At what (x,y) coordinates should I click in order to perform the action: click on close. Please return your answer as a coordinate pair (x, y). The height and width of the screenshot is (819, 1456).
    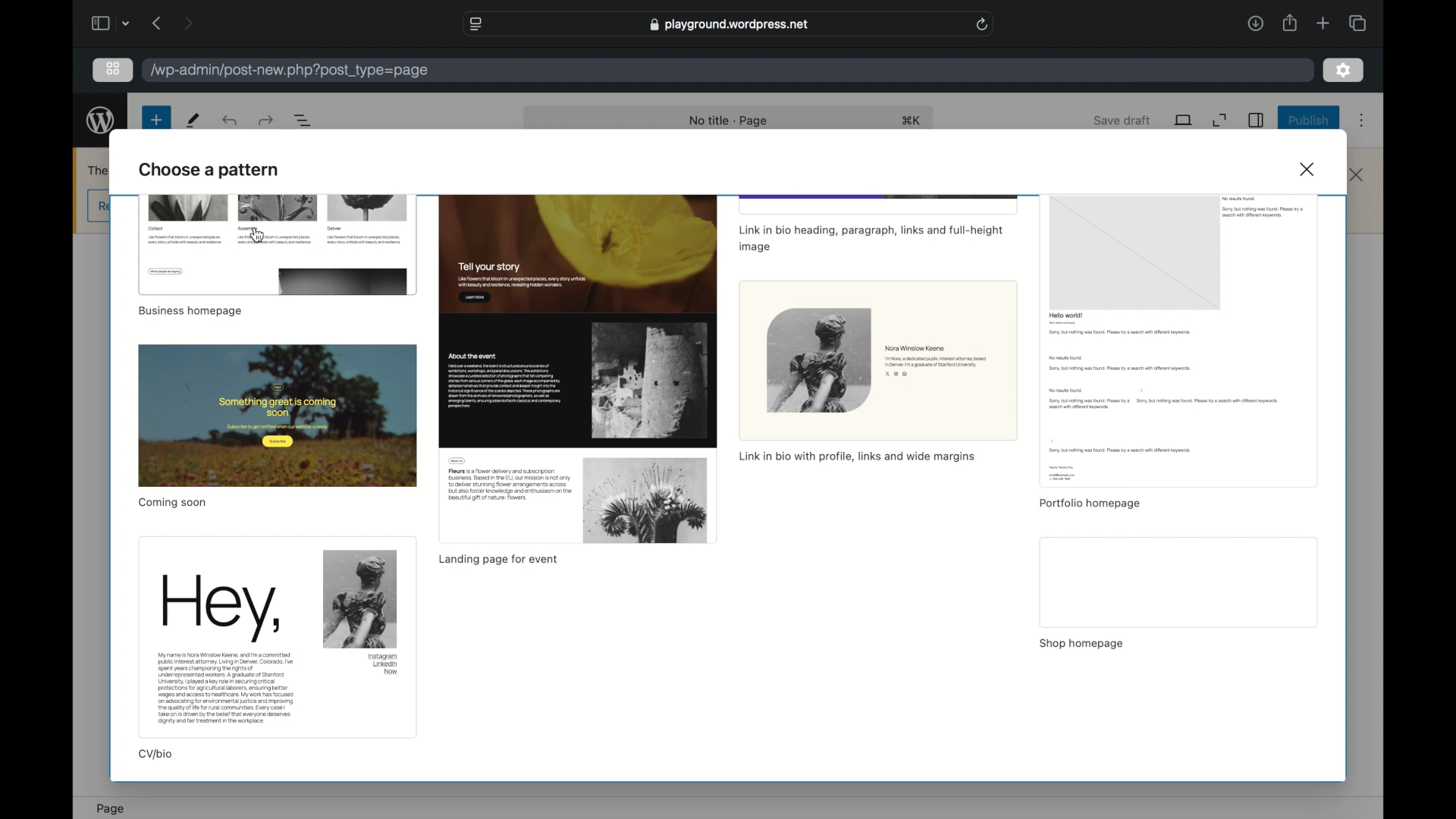
    Looking at the image, I should click on (1357, 174).